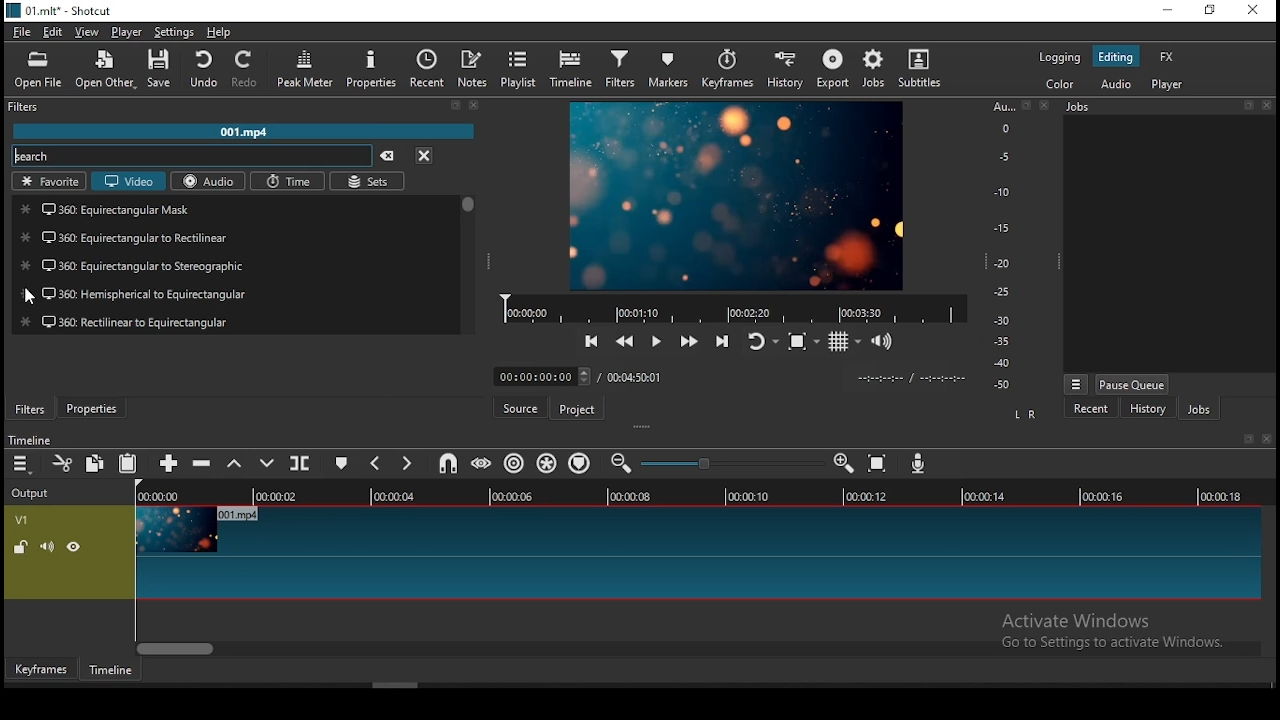 This screenshot has width=1280, height=720. Describe the element at coordinates (1058, 55) in the screenshot. I see `logging` at that location.